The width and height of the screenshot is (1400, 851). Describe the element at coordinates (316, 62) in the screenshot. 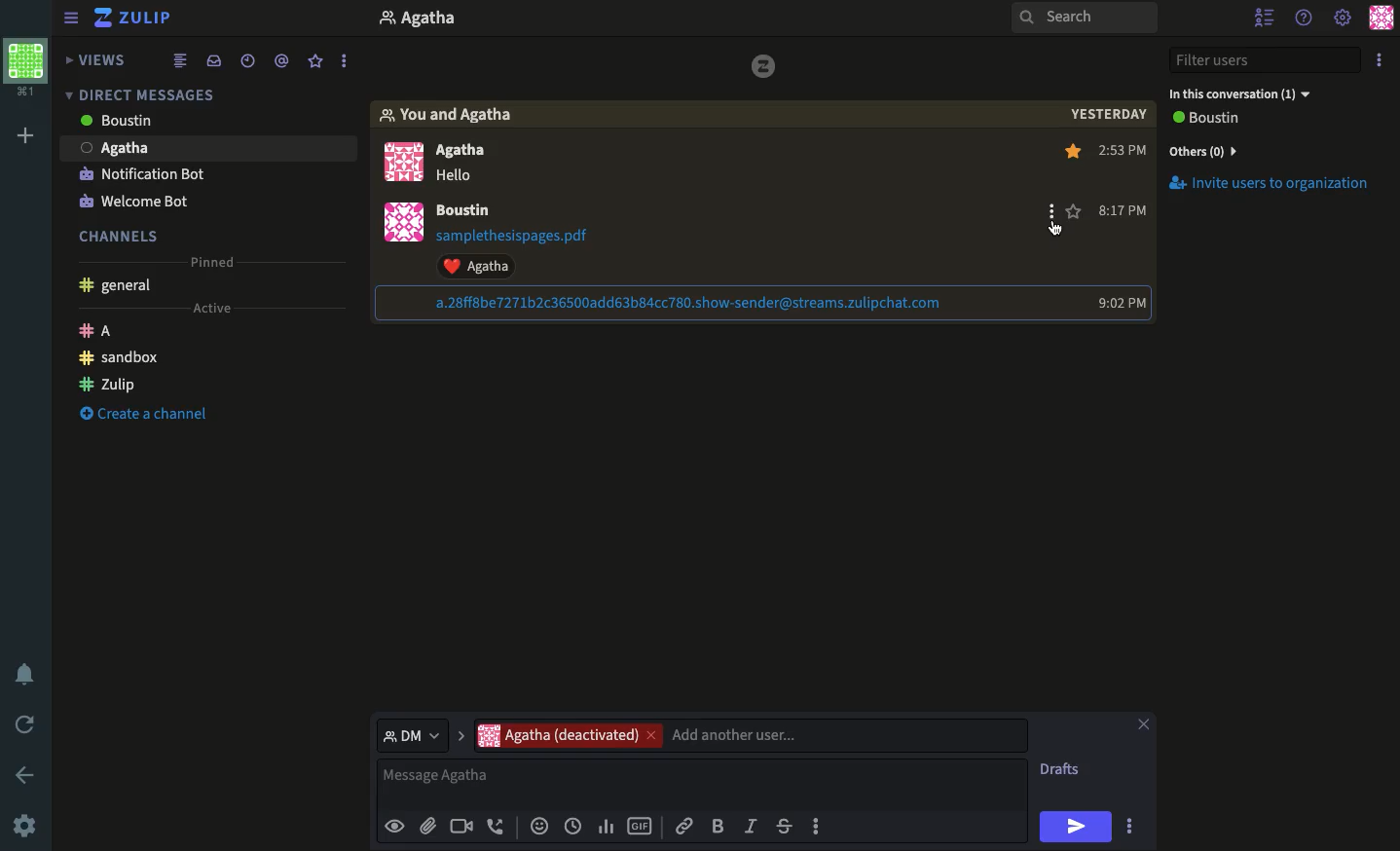

I see `Favorite` at that location.